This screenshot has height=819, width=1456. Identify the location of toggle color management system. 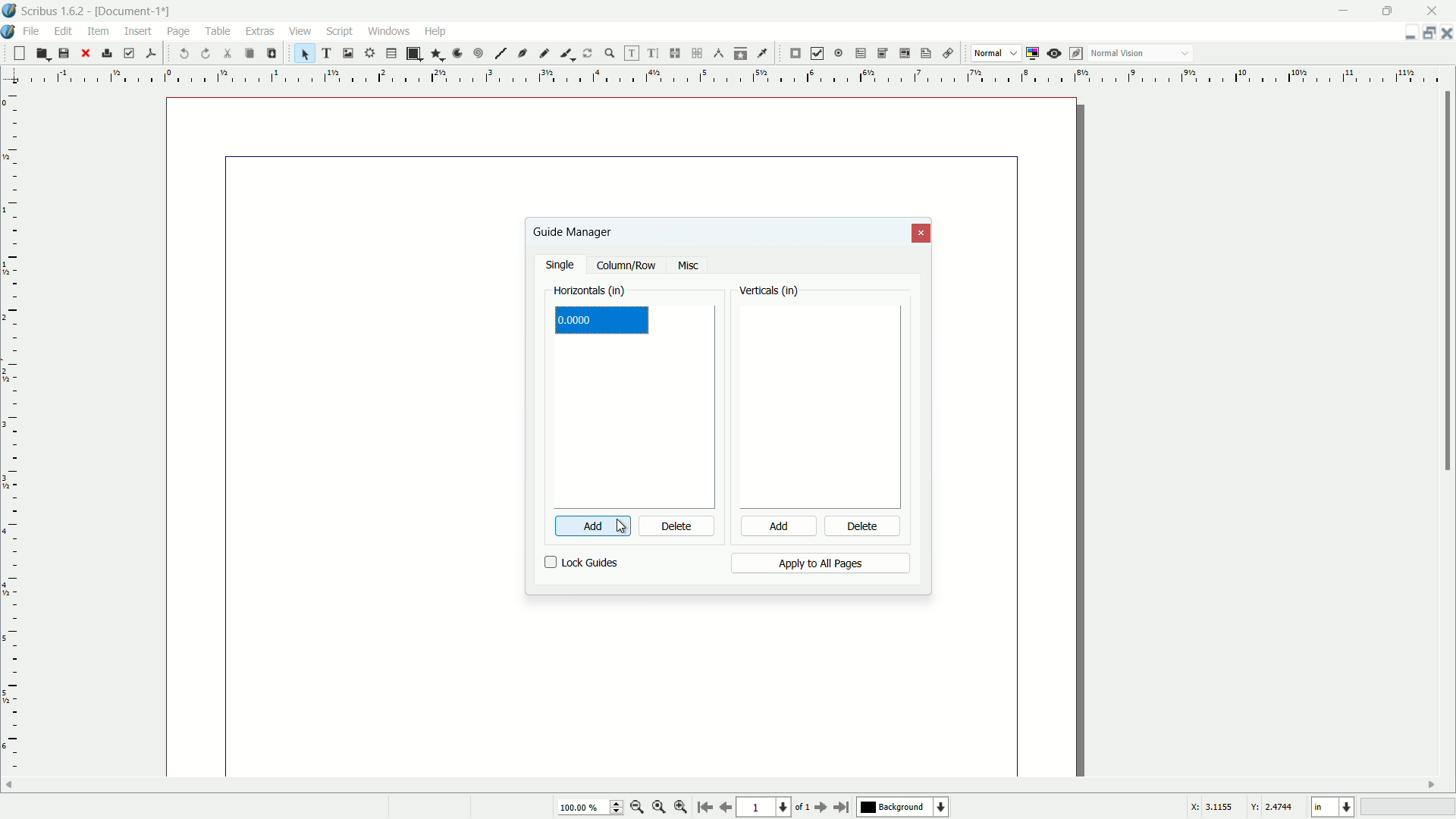
(1034, 53).